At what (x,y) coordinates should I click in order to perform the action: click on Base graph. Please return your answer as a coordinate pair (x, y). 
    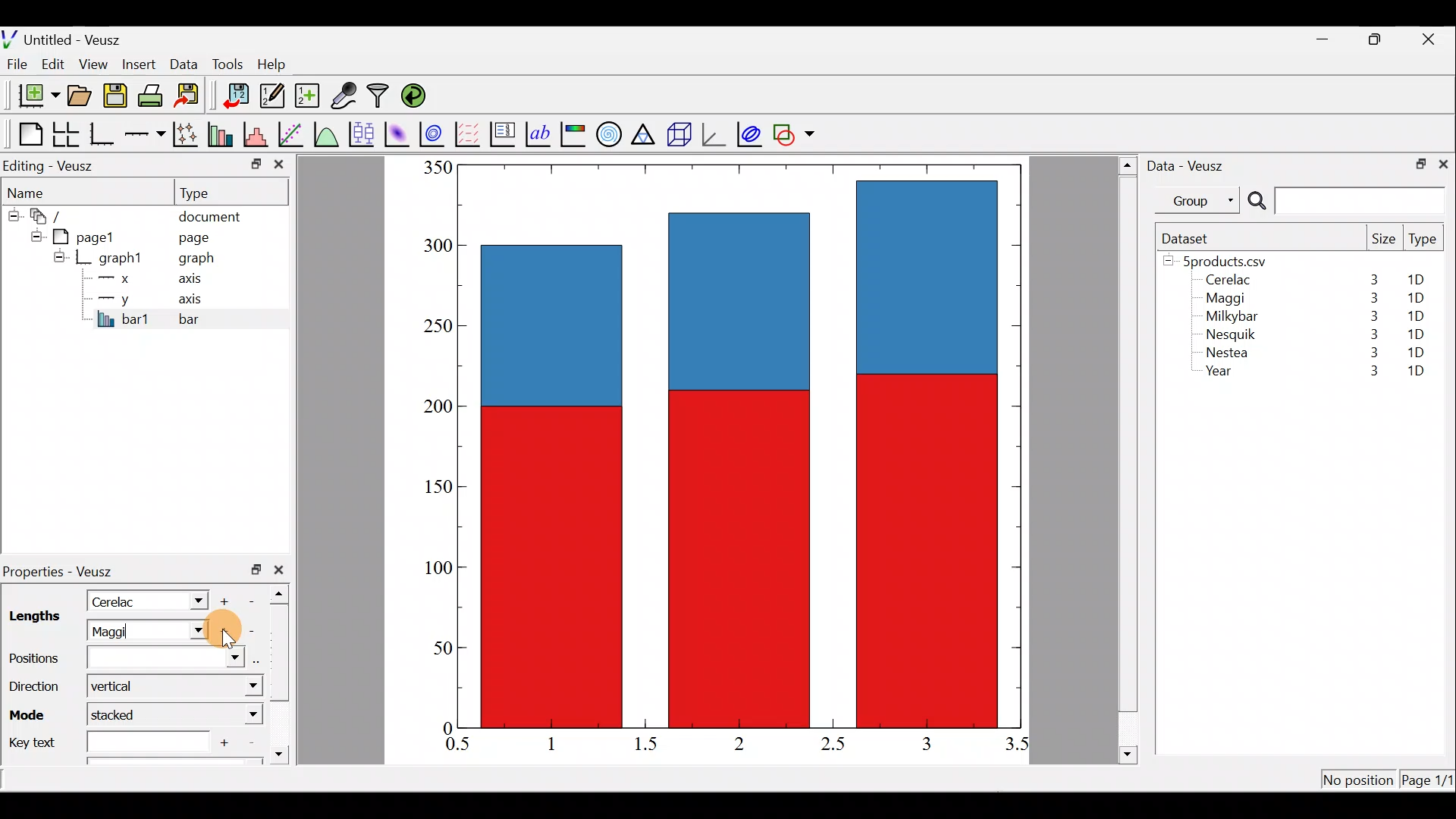
    Looking at the image, I should click on (103, 134).